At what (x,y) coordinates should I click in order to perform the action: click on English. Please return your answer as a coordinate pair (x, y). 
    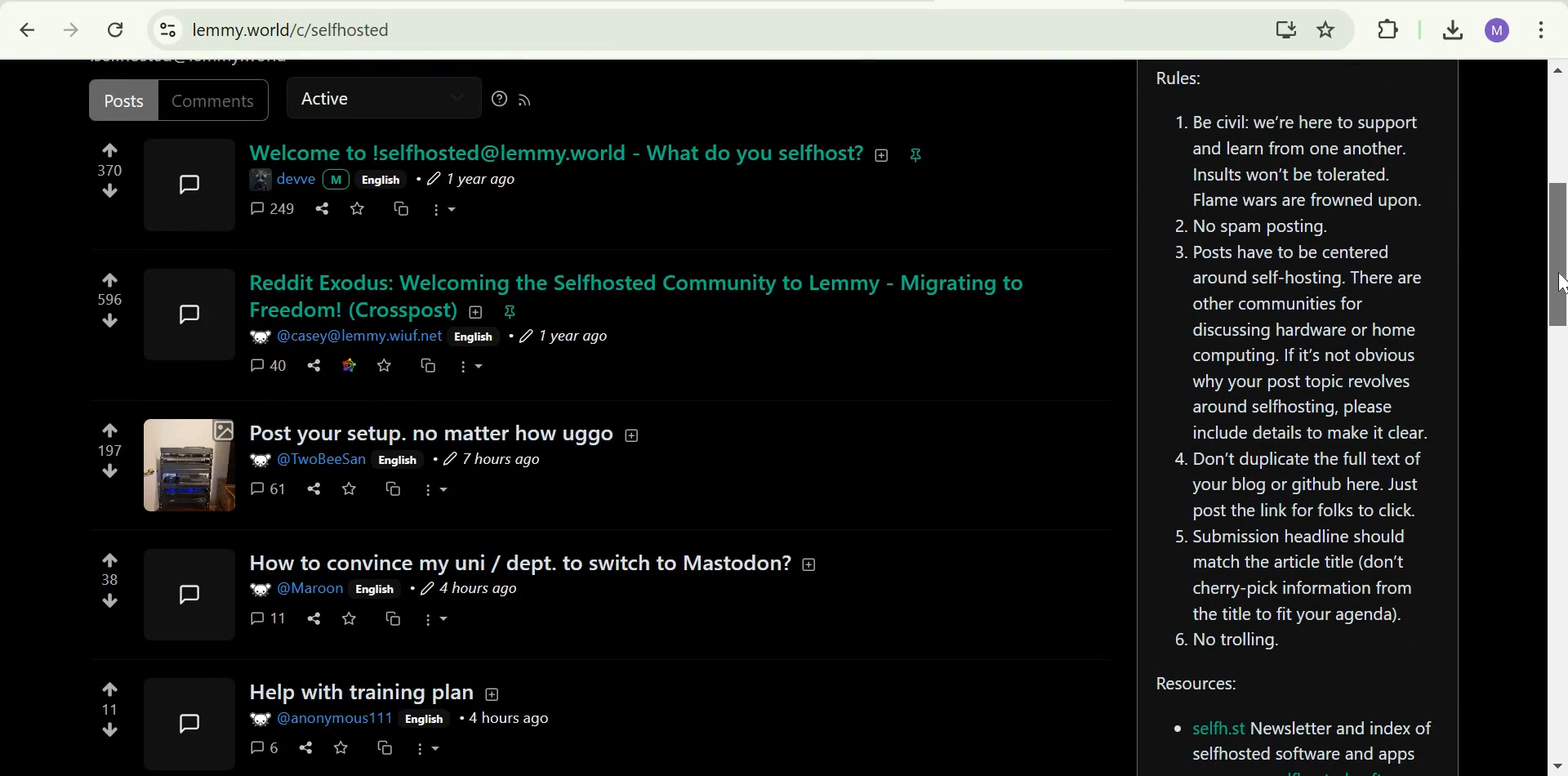
    Looking at the image, I should click on (425, 720).